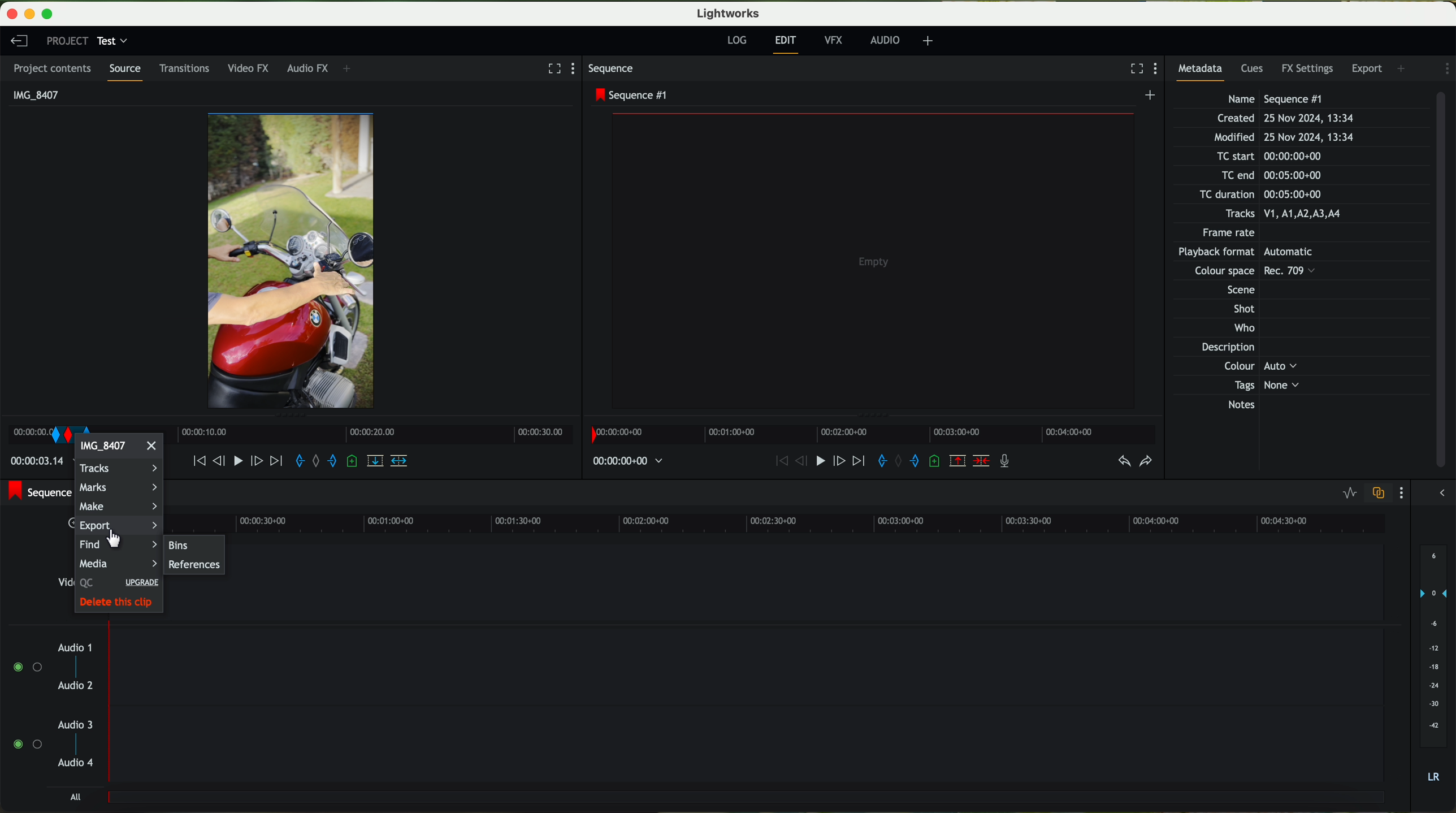 The image size is (1456, 813). I want to click on toggle audio levels editing, so click(1350, 494).